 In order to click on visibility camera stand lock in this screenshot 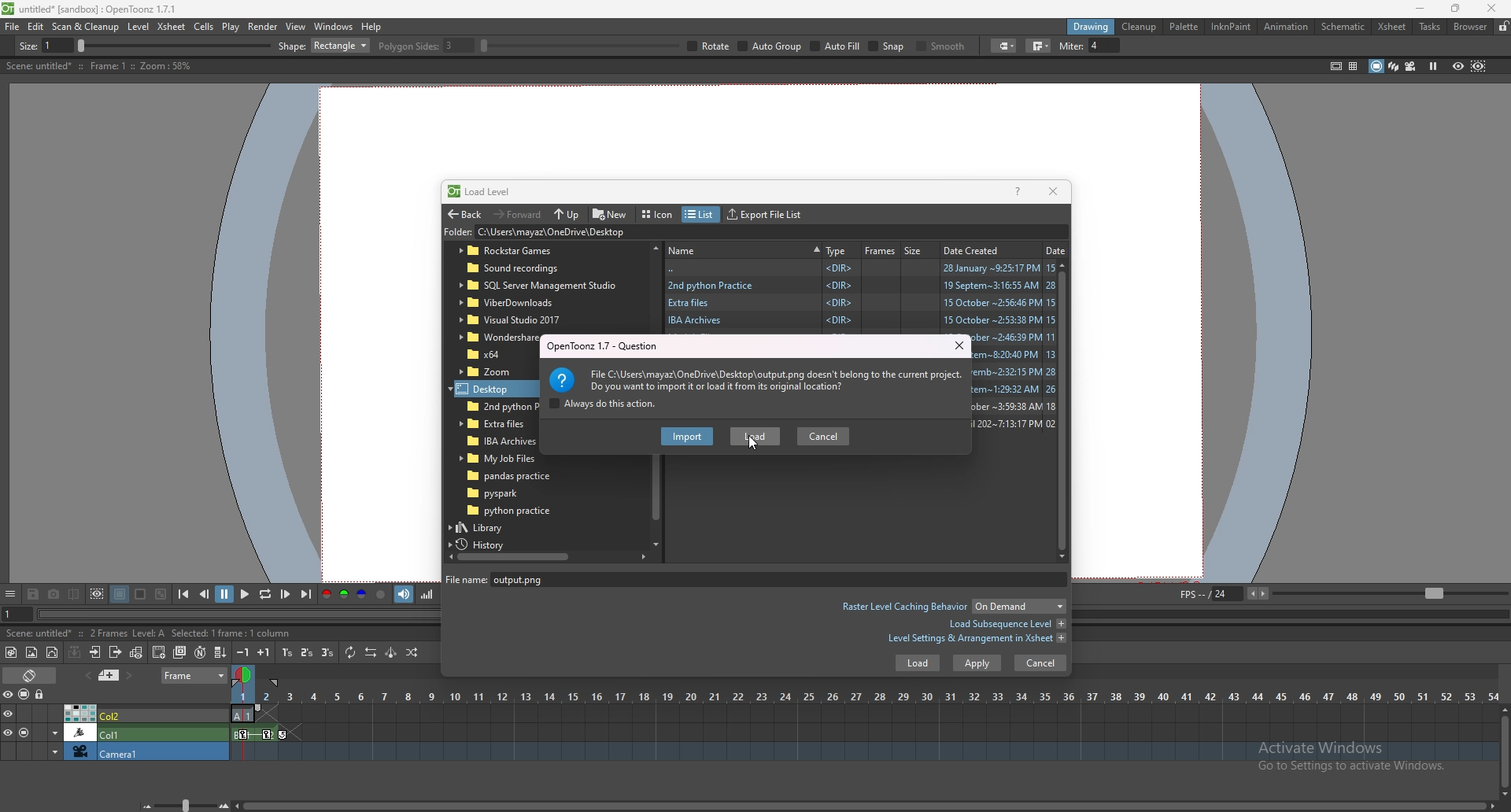, I will do `click(26, 694)`.